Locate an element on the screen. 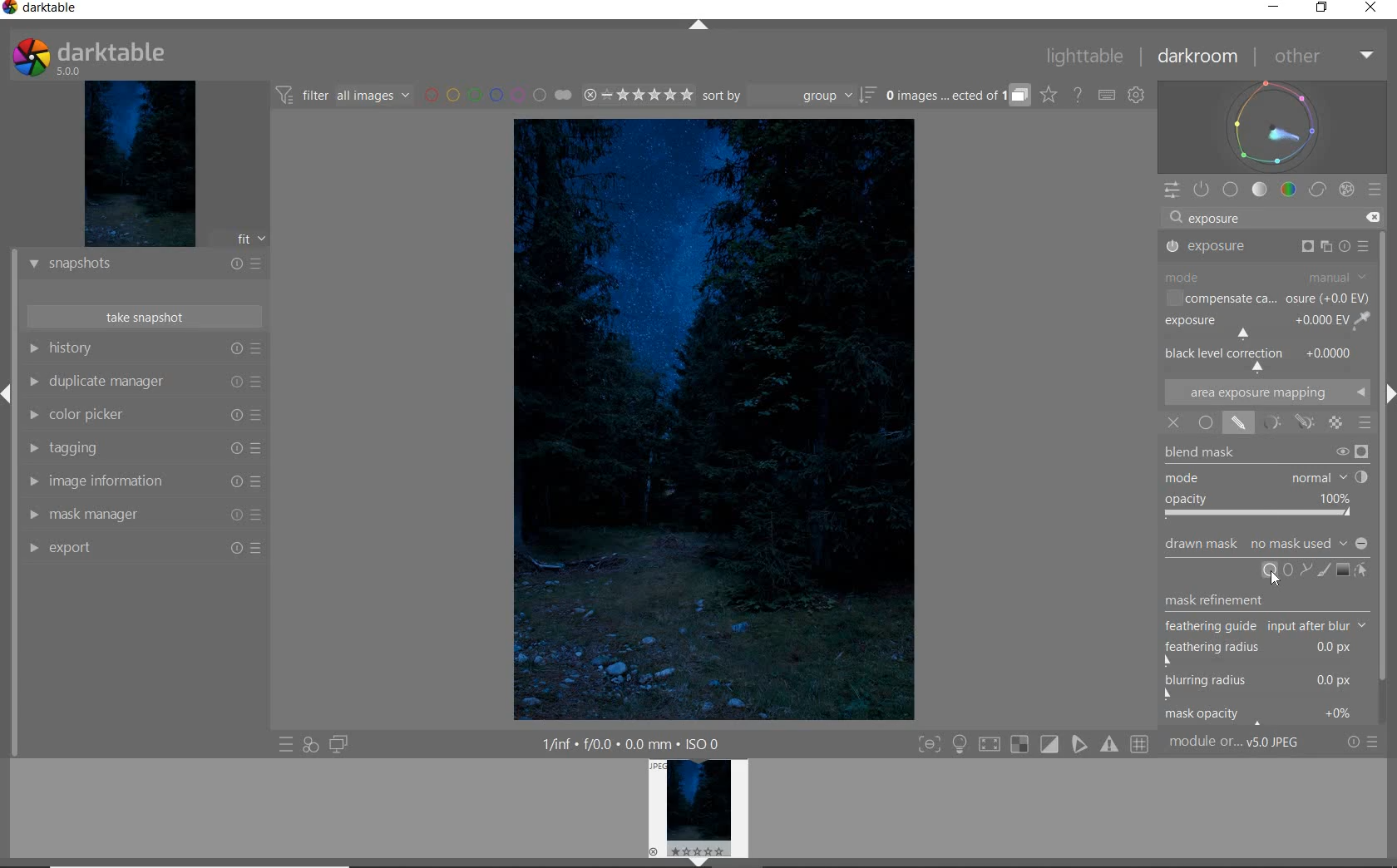 The image size is (1397, 868). MASK MANAGER is located at coordinates (142, 515).